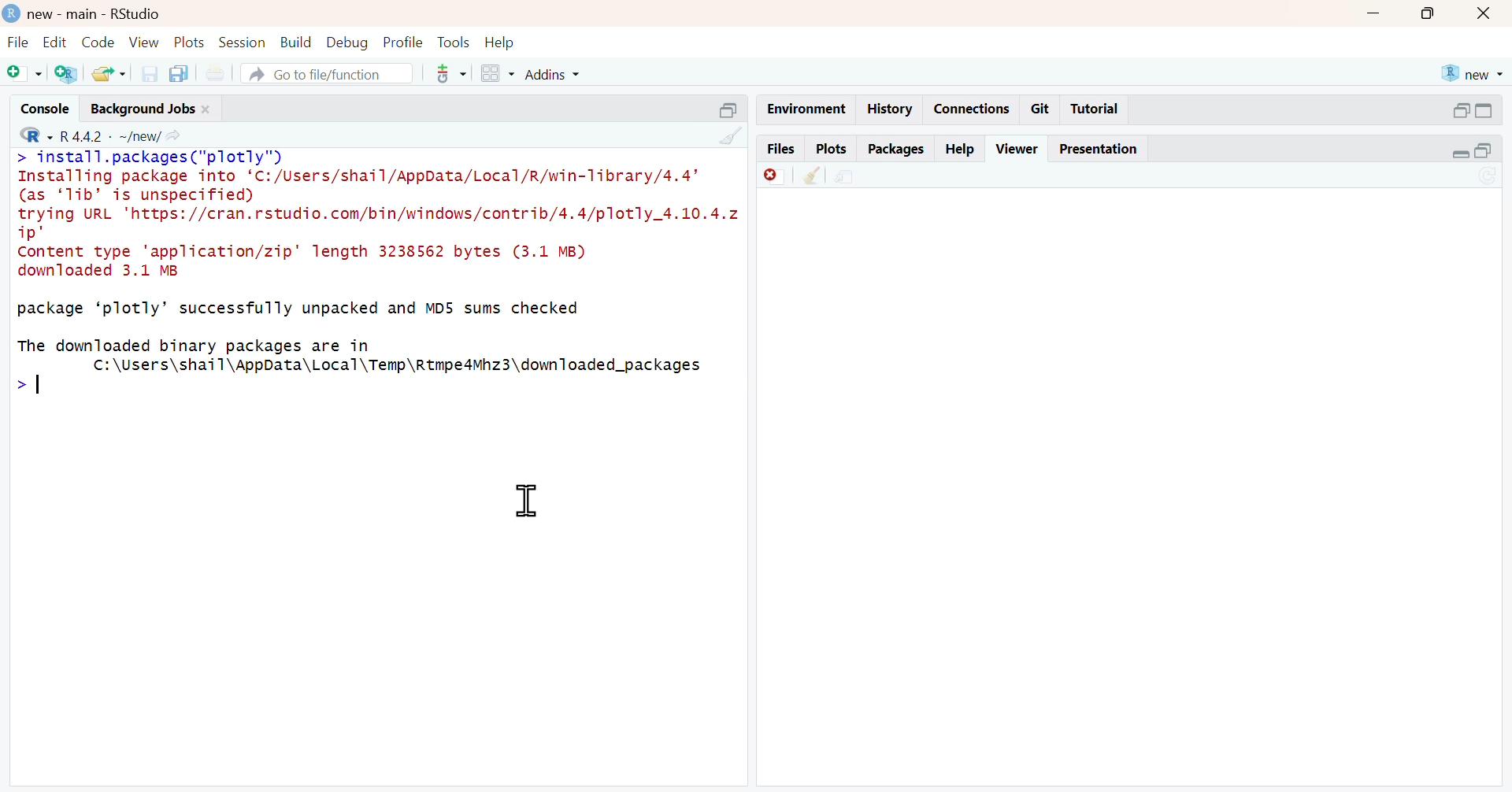  Describe the element at coordinates (182, 73) in the screenshot. I see `save all open documents` at that location.